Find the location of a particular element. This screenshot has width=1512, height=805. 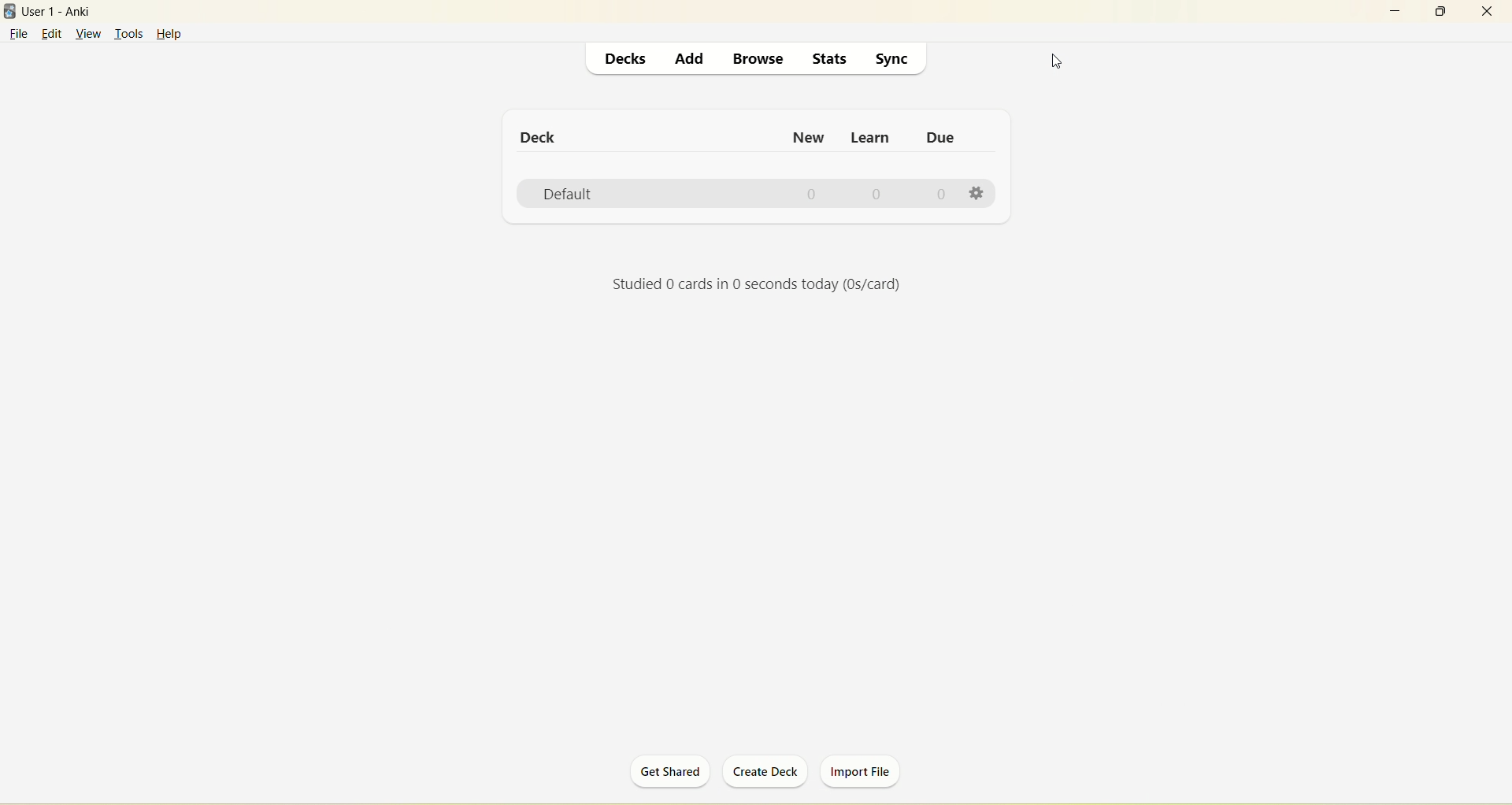

default is located at coordinates (573, 195).